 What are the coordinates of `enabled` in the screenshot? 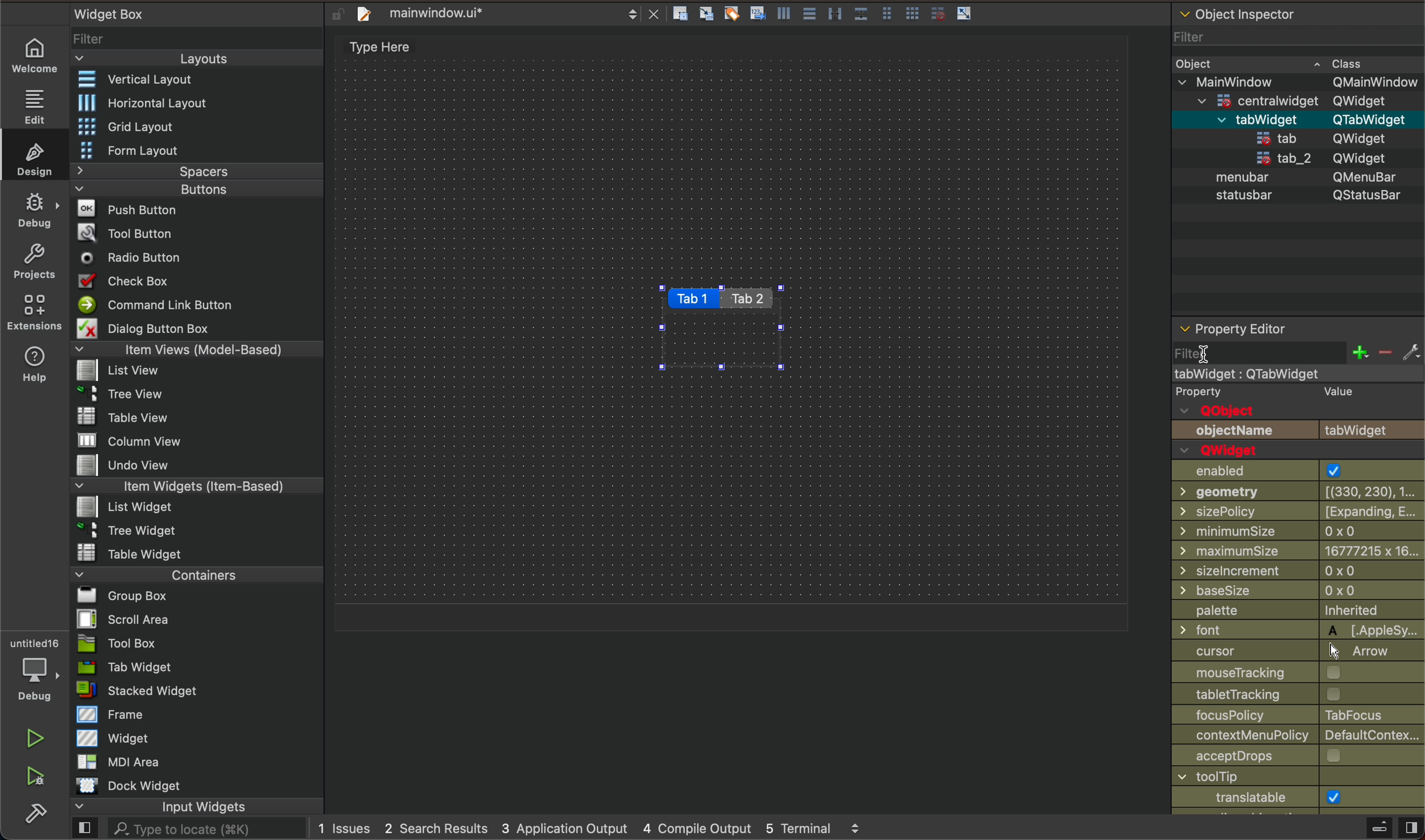 It's located at (1295, 470).